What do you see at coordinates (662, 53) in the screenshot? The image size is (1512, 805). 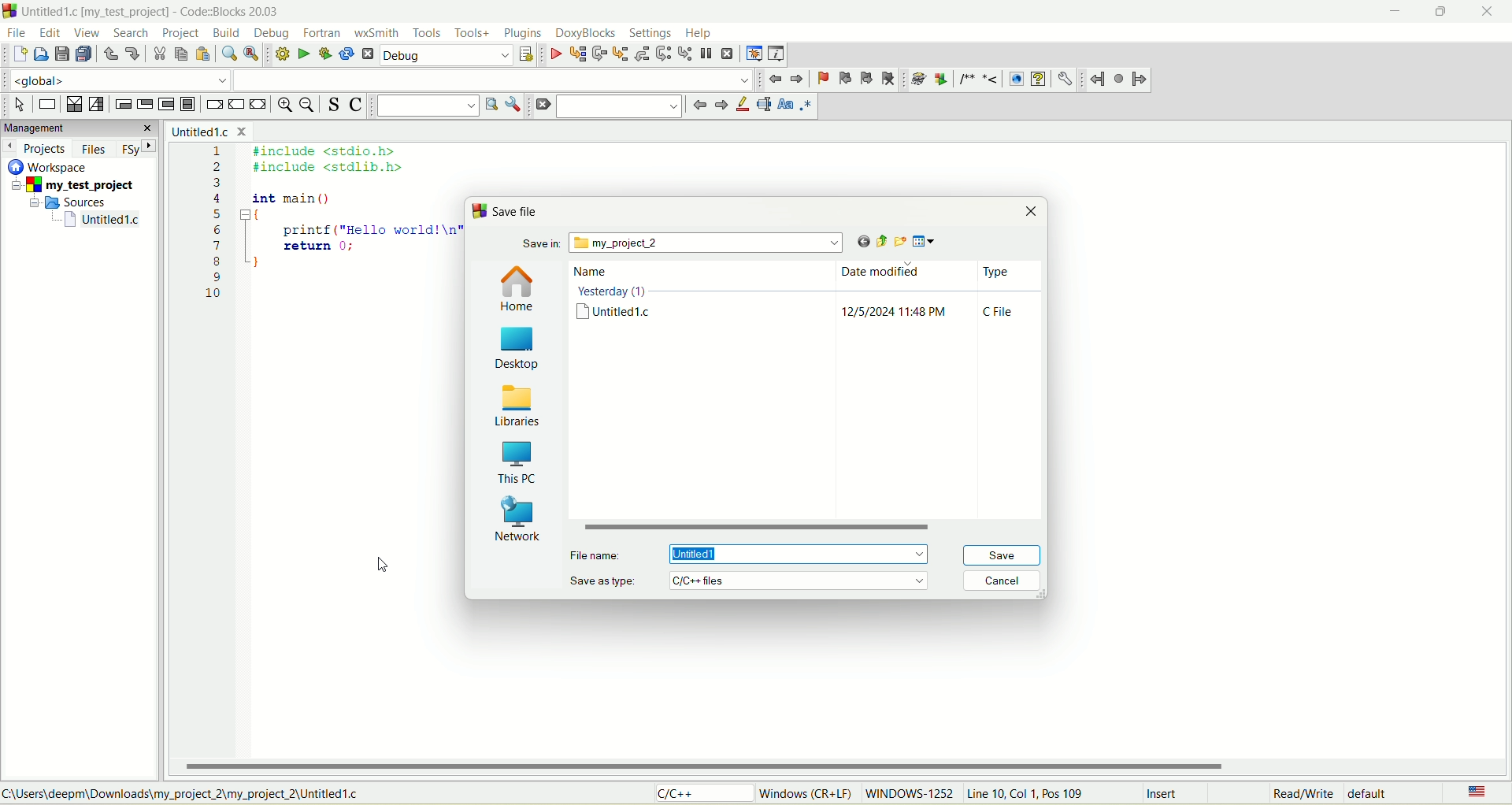 I see `next instruction` at bounding box center [662, 53].